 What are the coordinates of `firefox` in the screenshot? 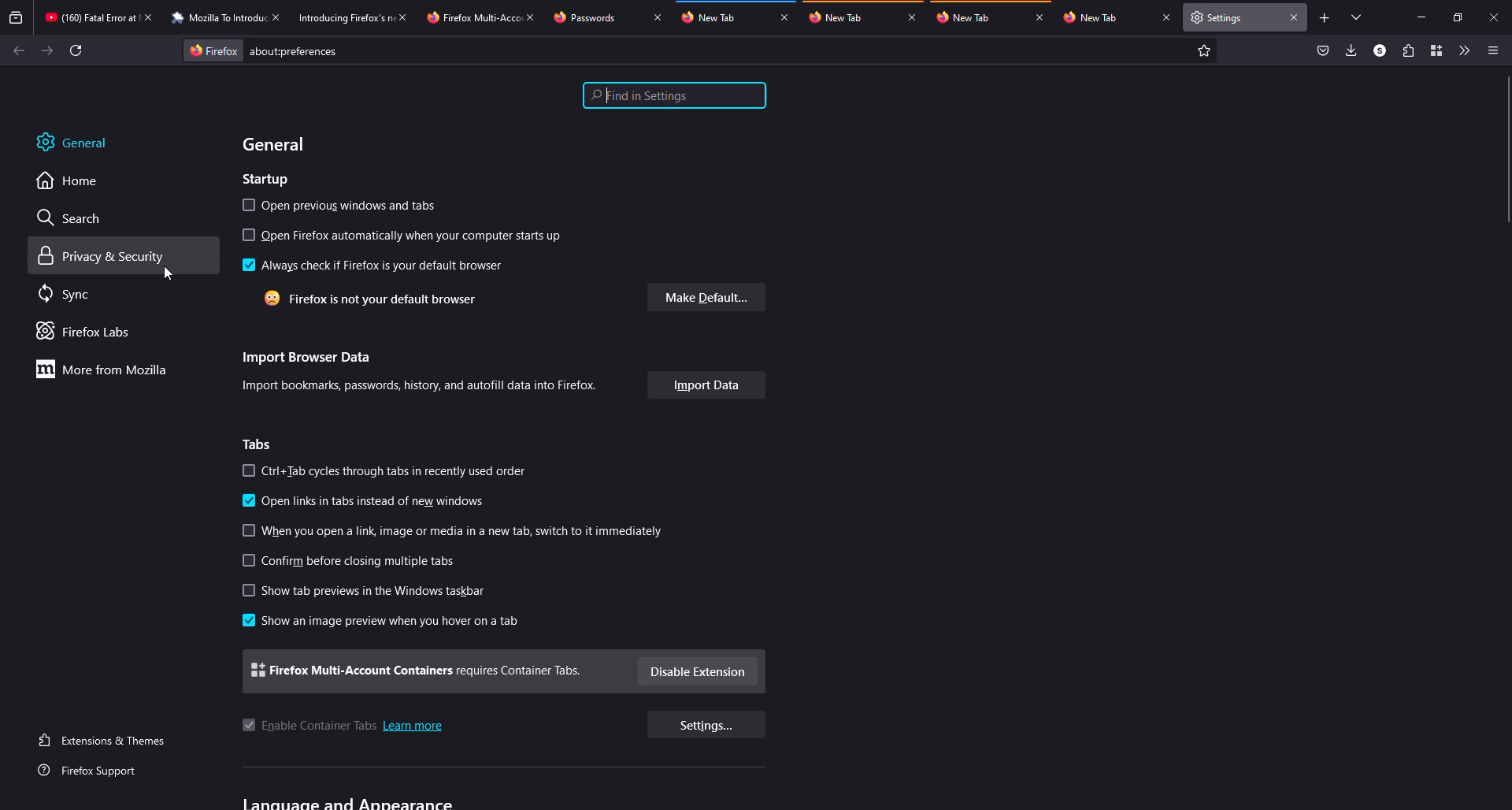 It's located at (213, 49).